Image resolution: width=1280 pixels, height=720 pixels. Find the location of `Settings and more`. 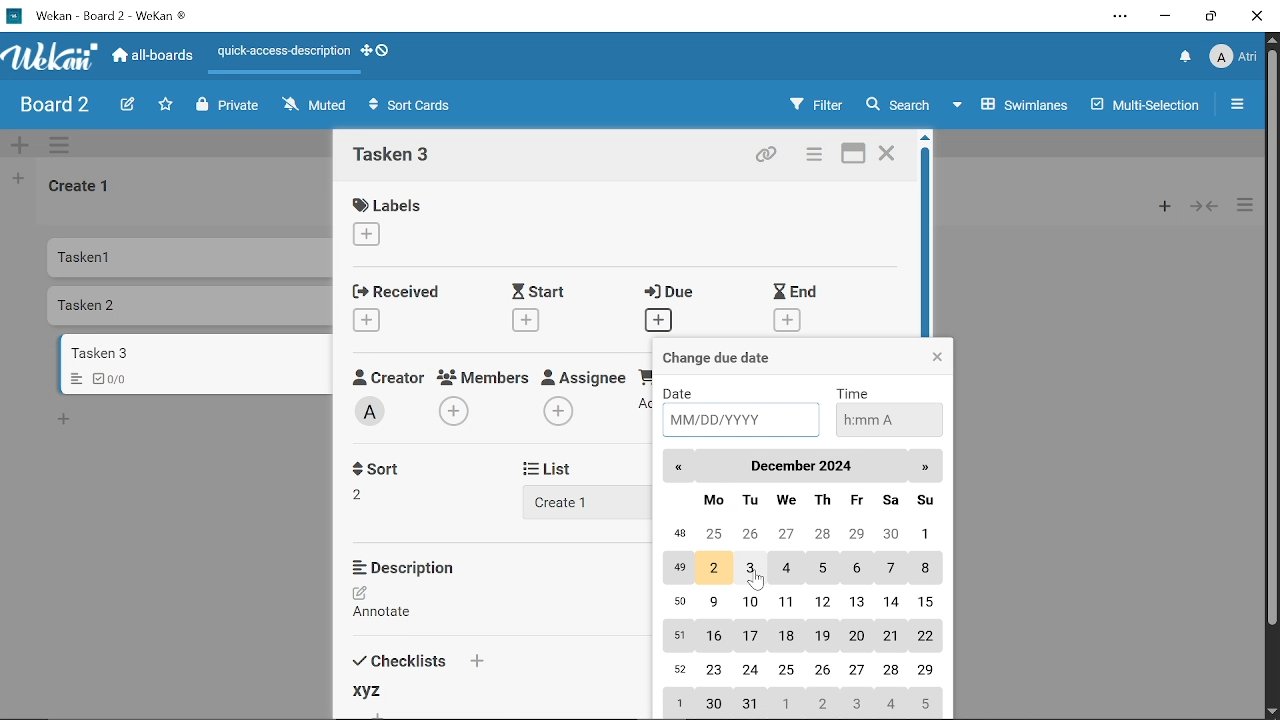

Settings and more is located at coordinates (1120, 16).